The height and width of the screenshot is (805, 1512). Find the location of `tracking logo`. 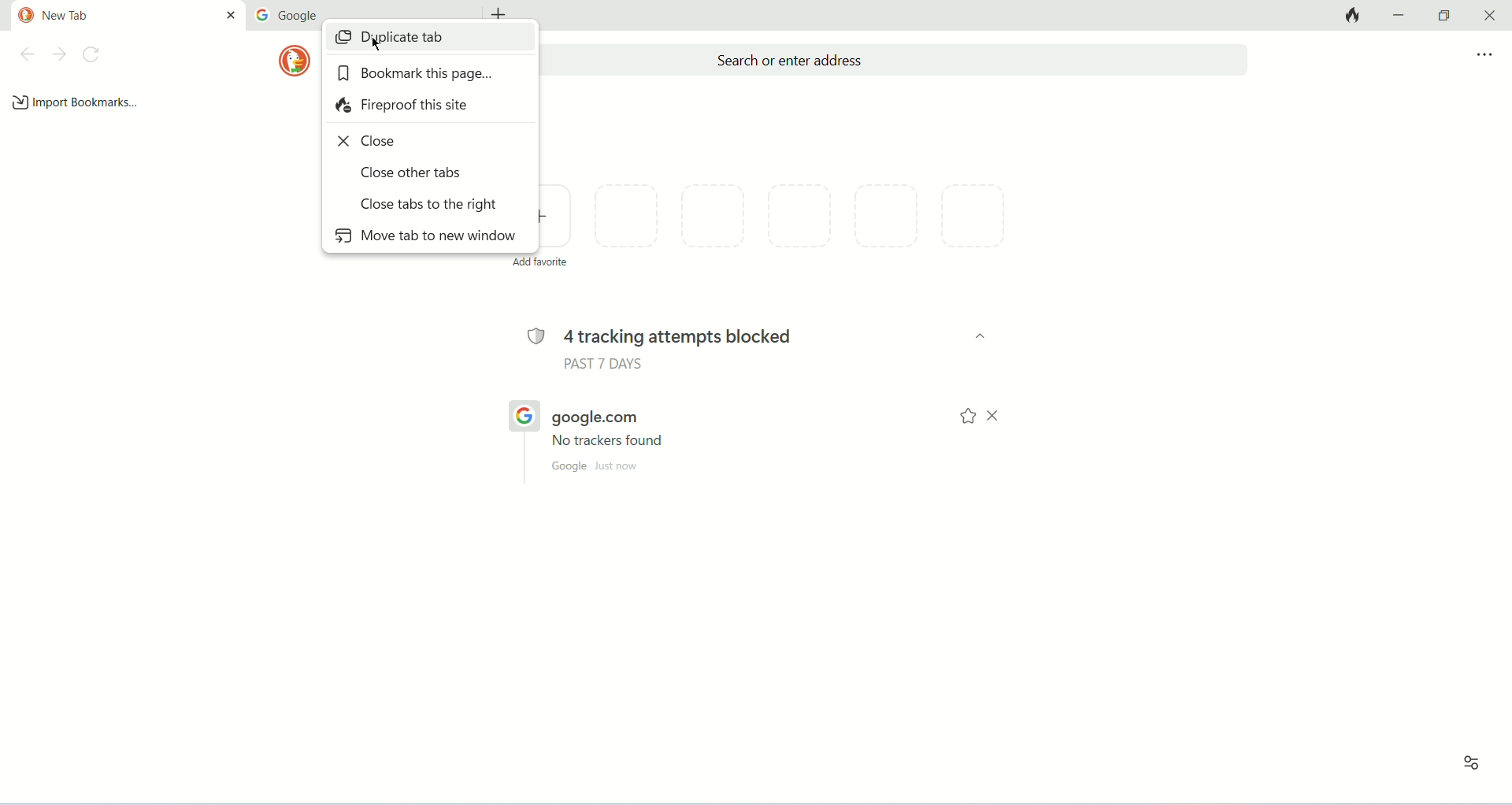

tracking logo is located at coordinates (535, 336).